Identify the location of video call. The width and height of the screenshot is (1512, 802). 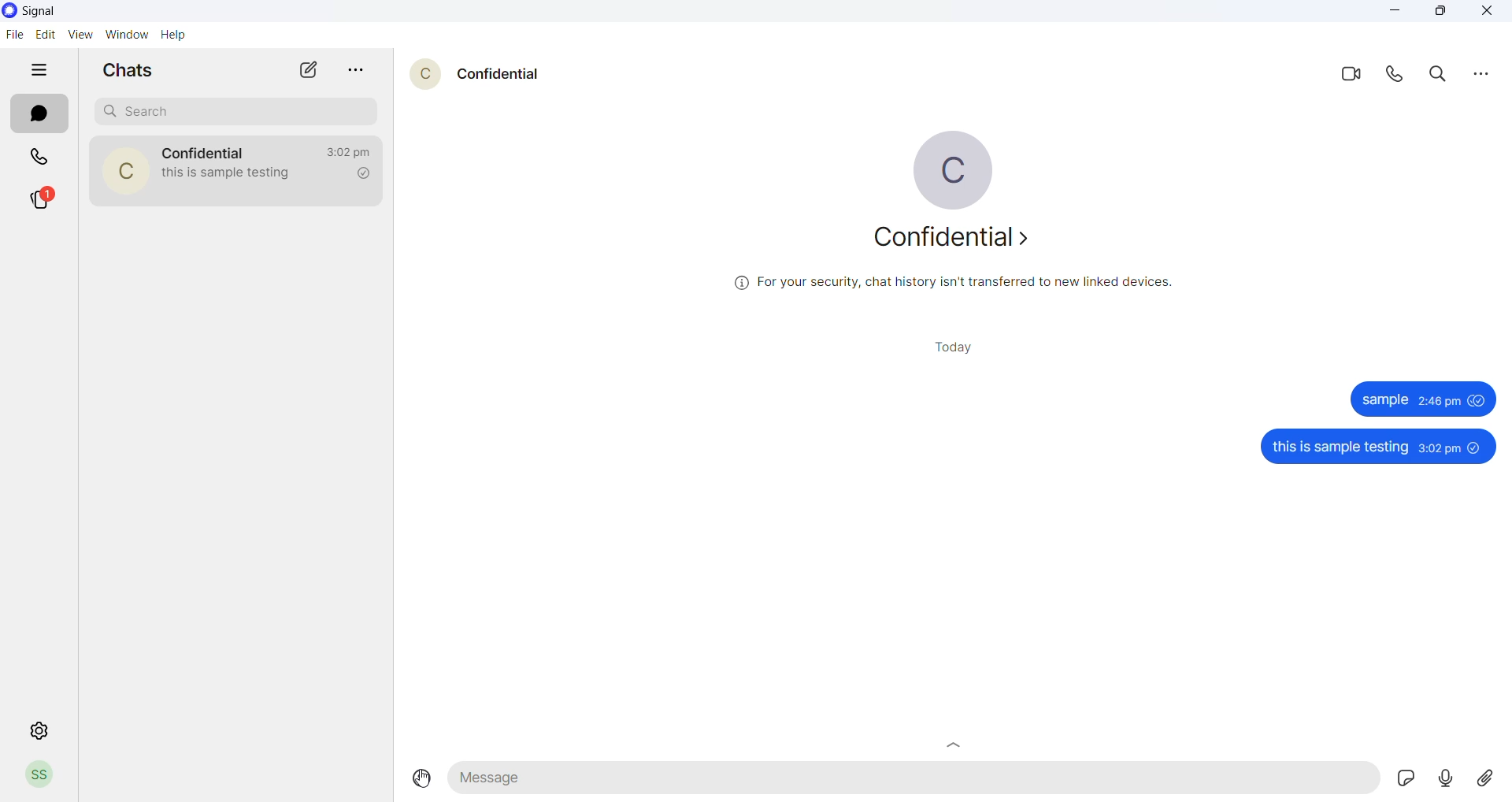
(1350, 76).